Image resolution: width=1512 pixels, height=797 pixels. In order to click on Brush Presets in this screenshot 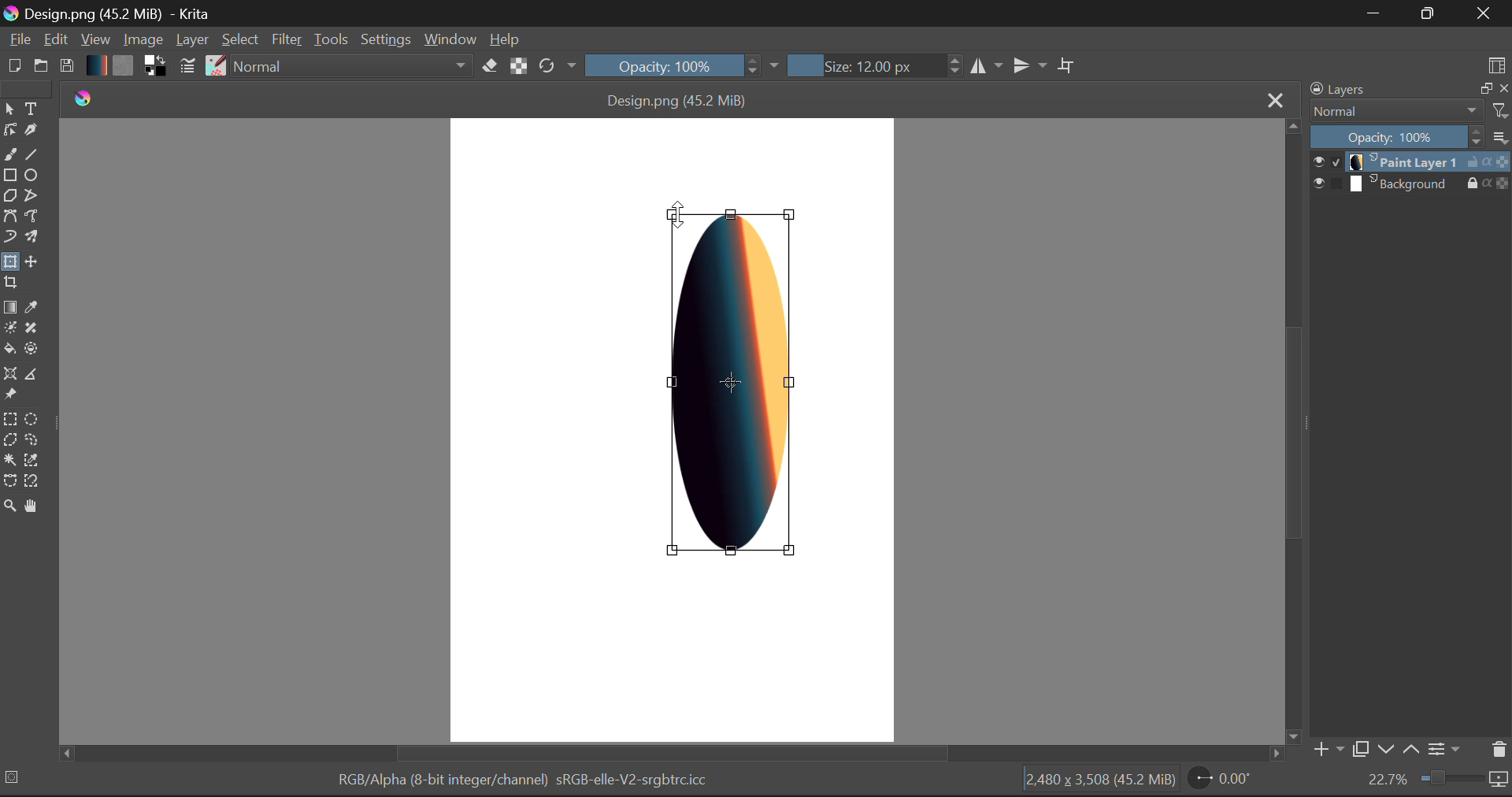, I will do `click(214, 66)`.